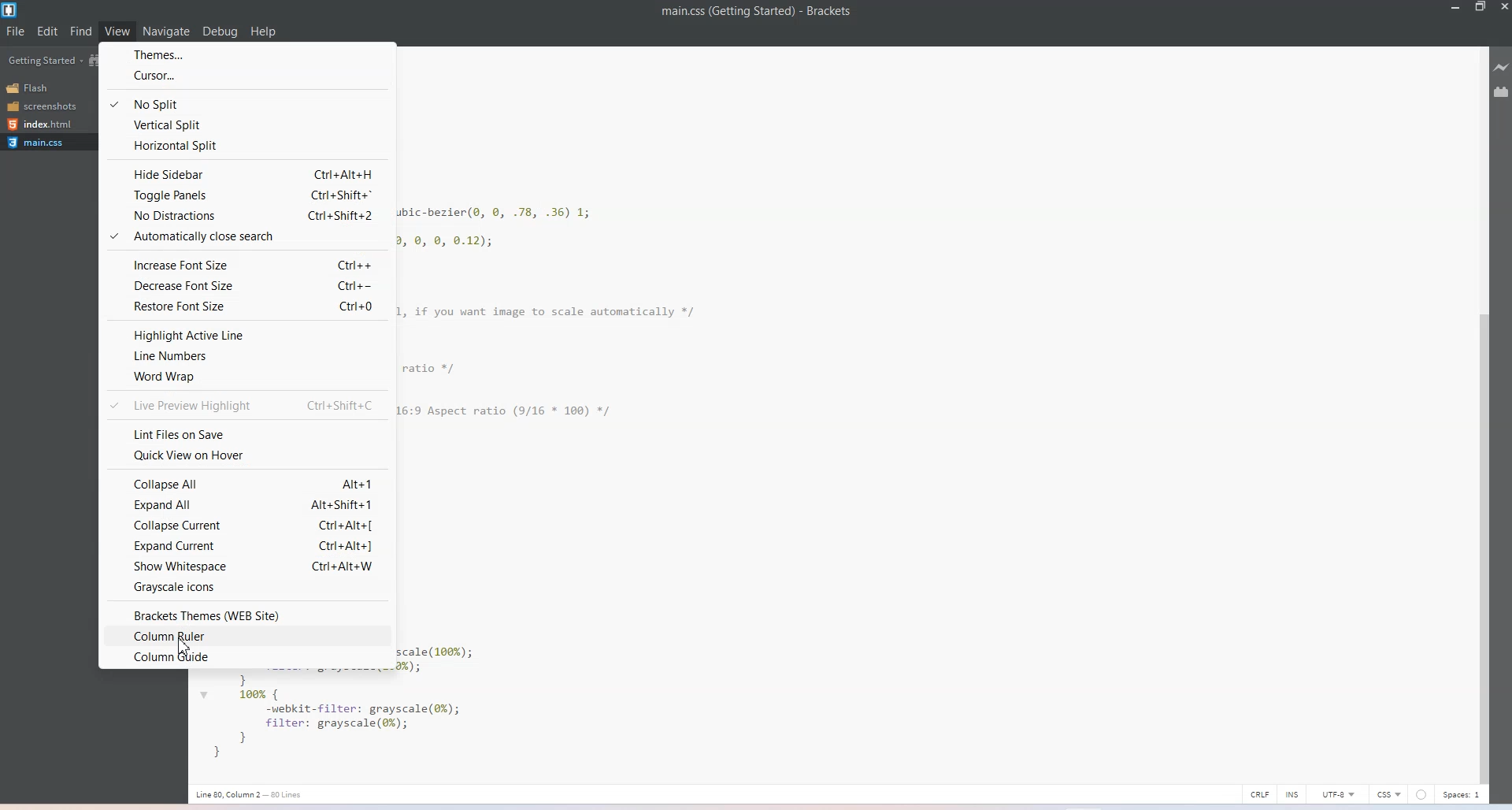  Describe the element at coordinates (1503, 8) in the screenshot. I see `Close` at that location.